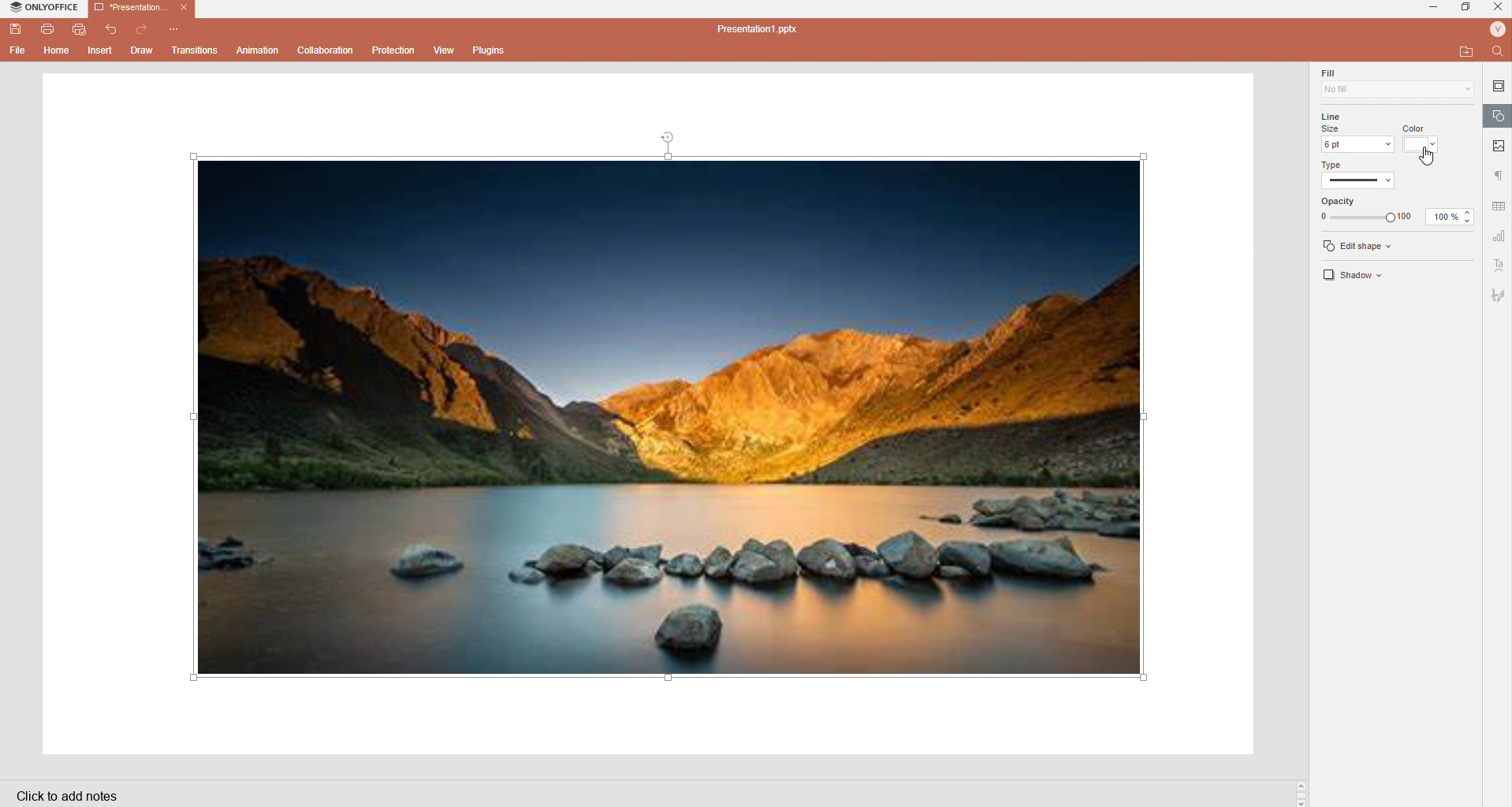 This screenshot has width=1512, height=807. I want to click on Close, so click(184, 9).